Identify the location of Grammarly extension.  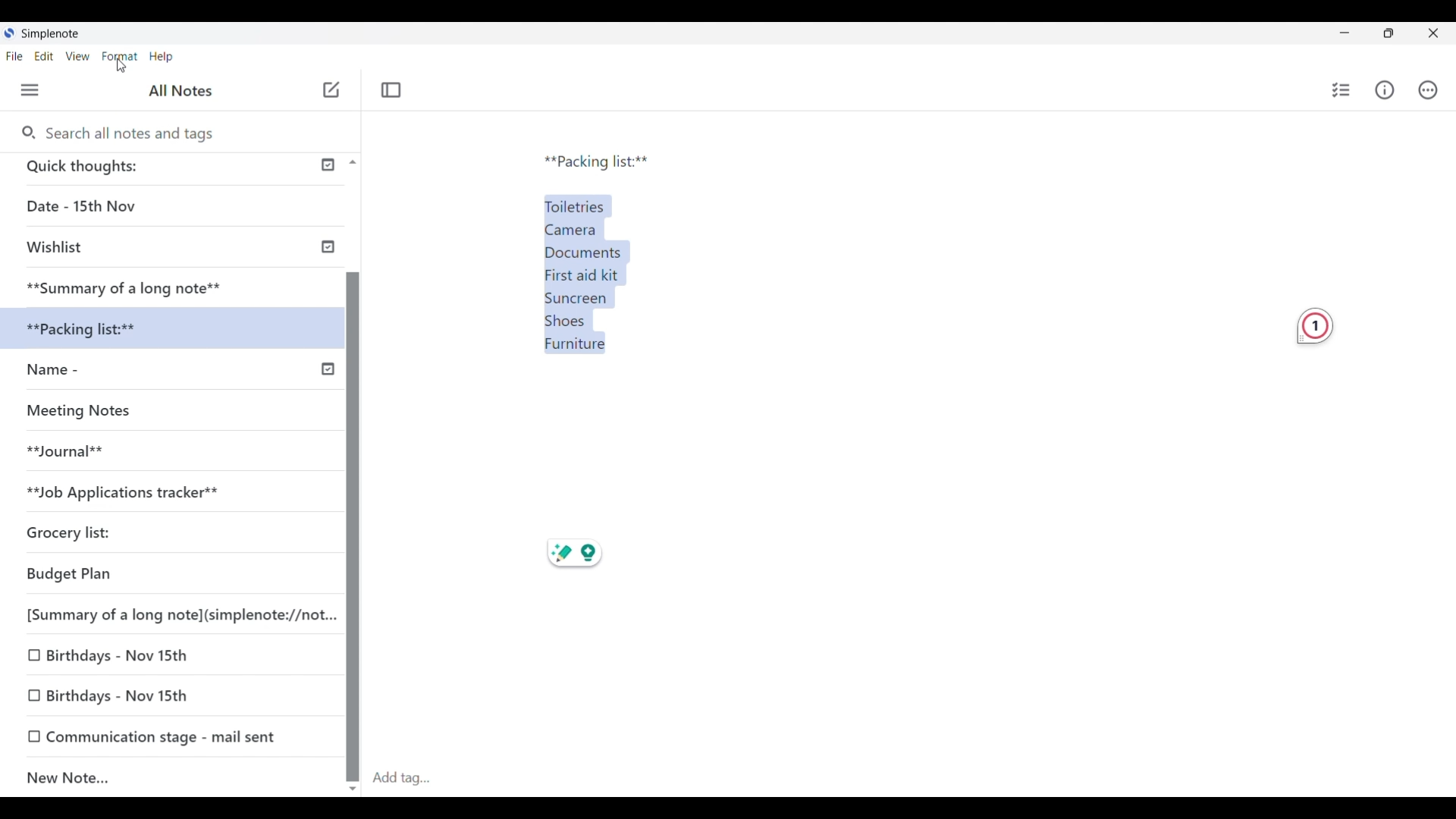
(1315, 326).